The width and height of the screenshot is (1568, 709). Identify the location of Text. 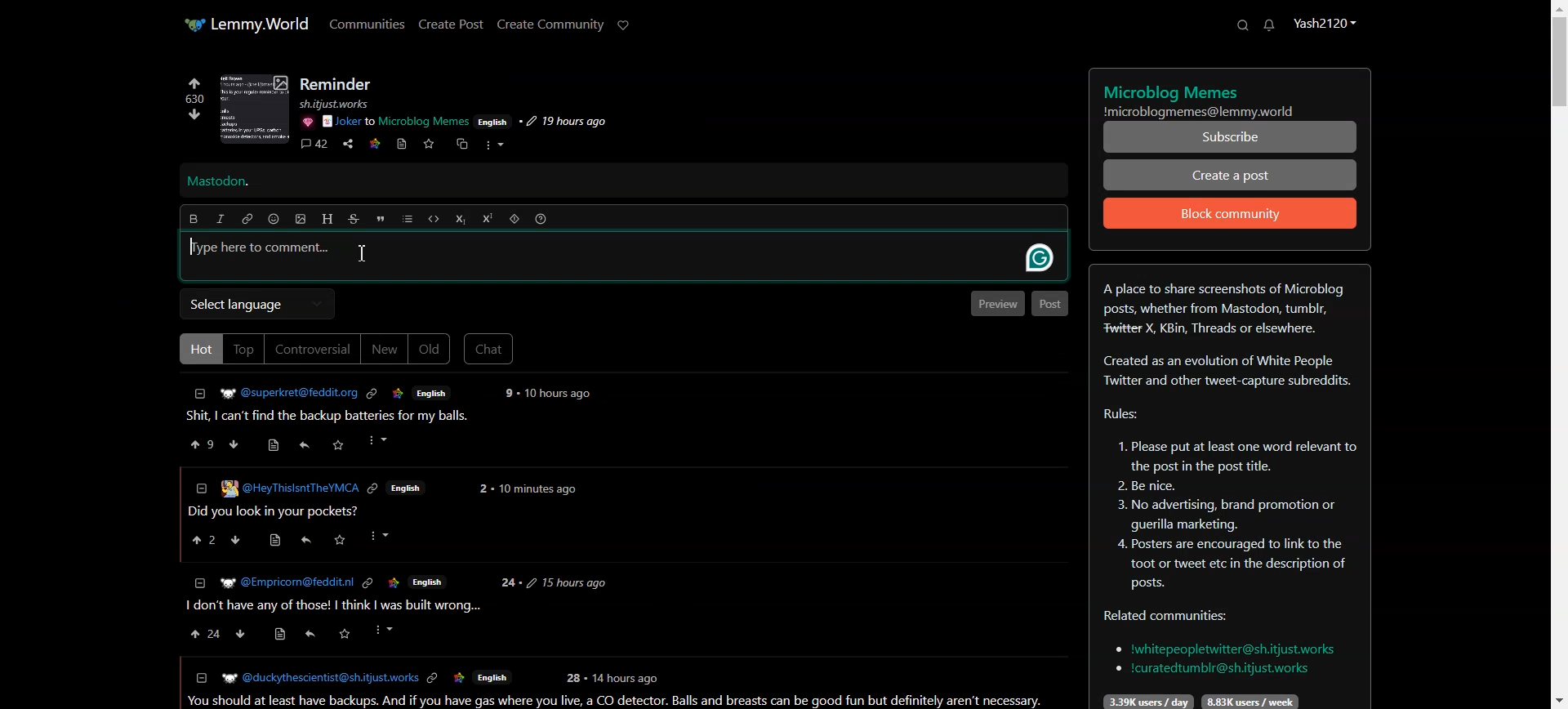
(1231, 96).